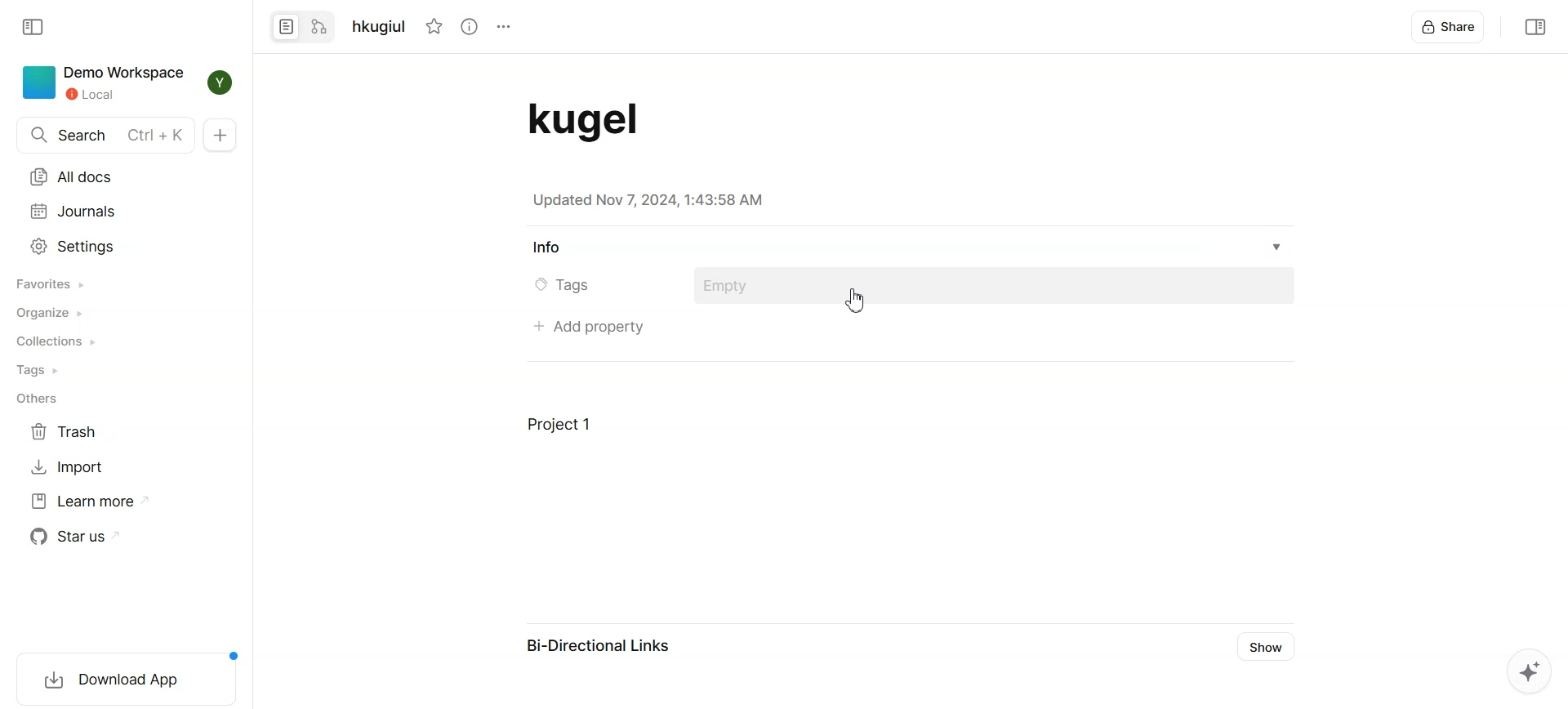 The height and width of the screenshot is (709, 1568). Describe the element at coordinates (125, 680) in the screenshot. I see `download app` at that location.